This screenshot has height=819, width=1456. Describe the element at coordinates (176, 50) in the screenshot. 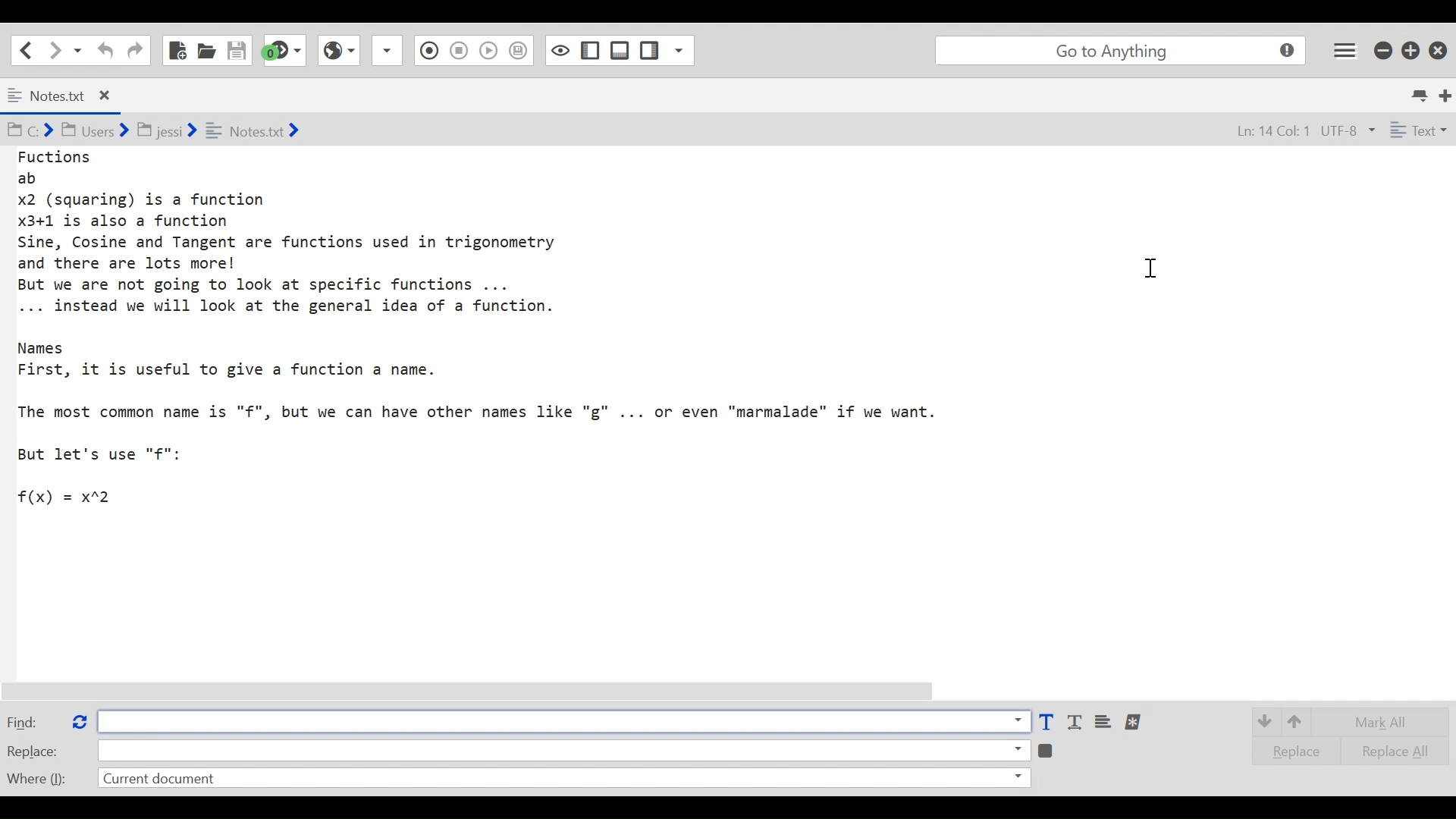

I see `New File` at that location.